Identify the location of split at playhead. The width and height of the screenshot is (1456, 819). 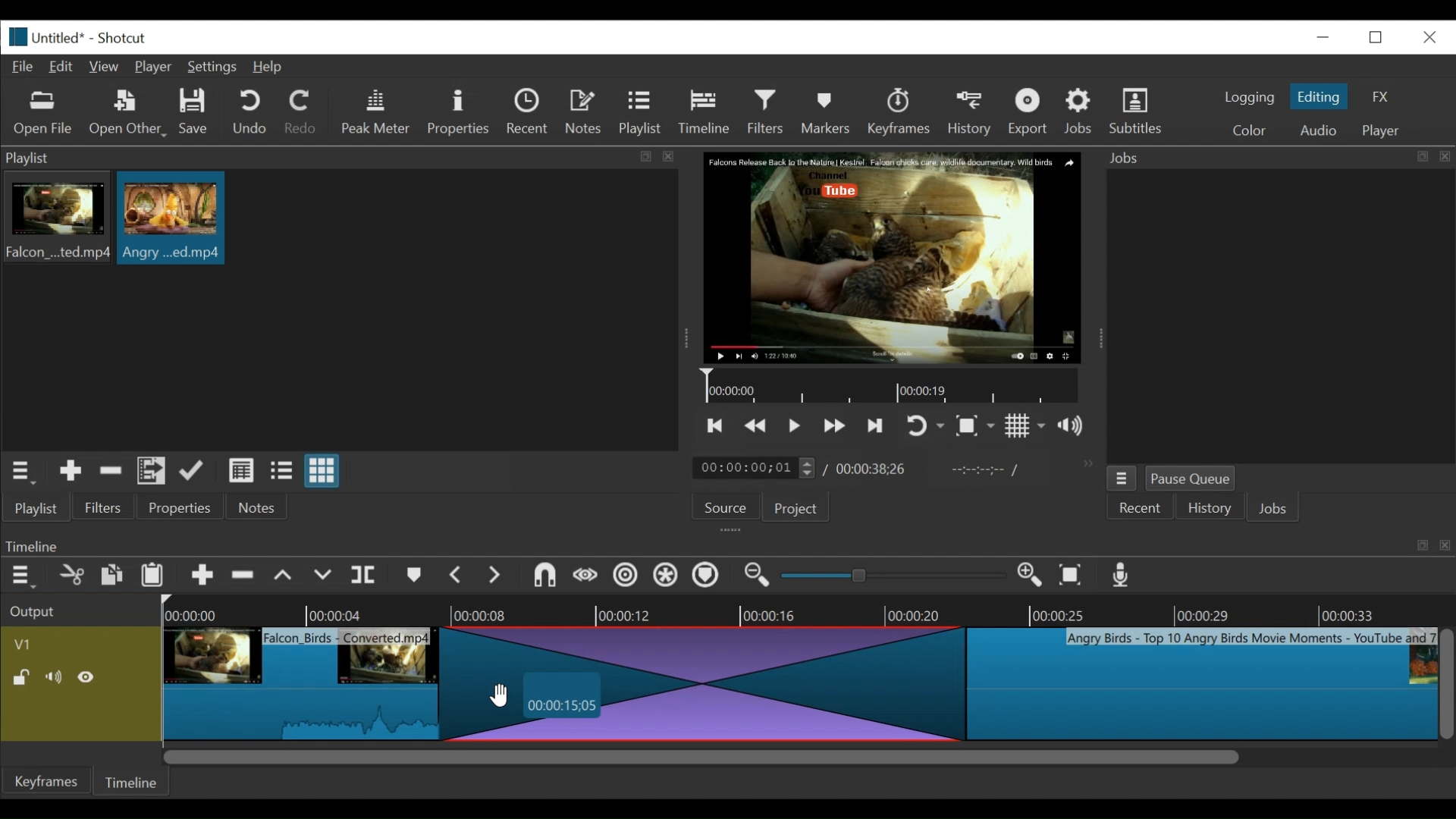
(366, 576).